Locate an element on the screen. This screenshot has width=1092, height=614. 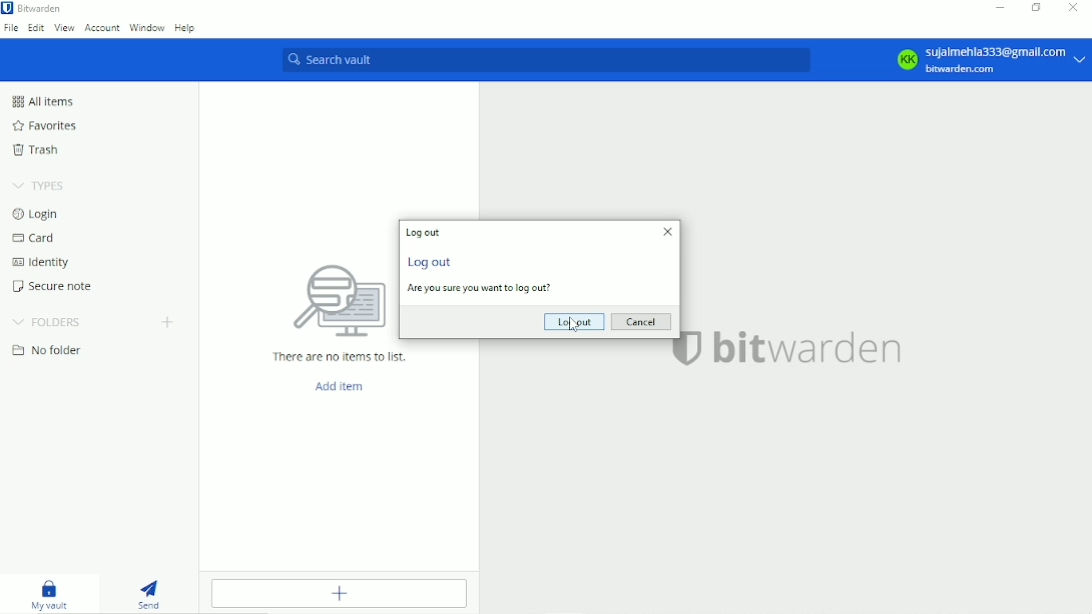
Add item is located at coordinates (344, 594).